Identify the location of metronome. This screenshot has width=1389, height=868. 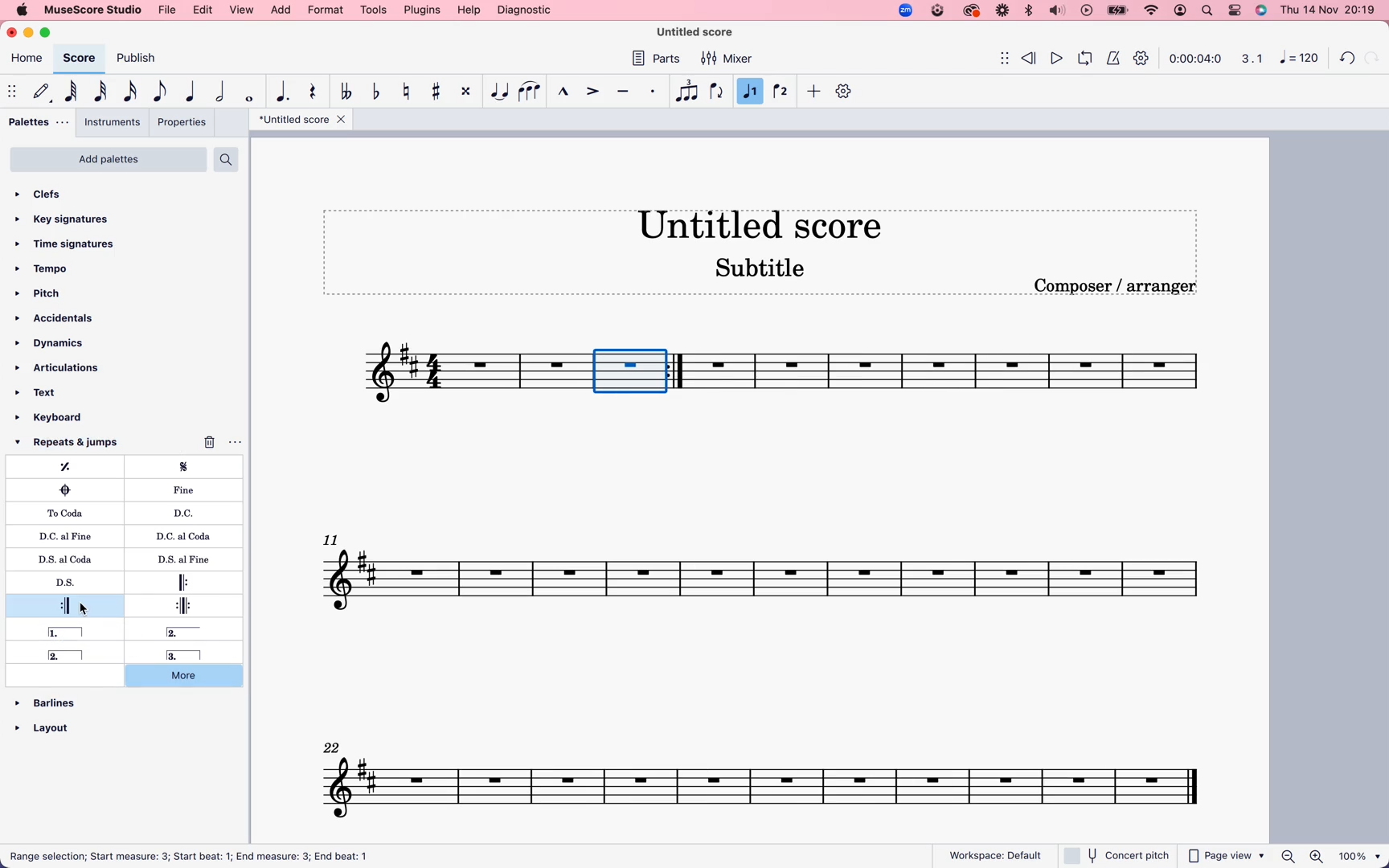
(1112, 57).